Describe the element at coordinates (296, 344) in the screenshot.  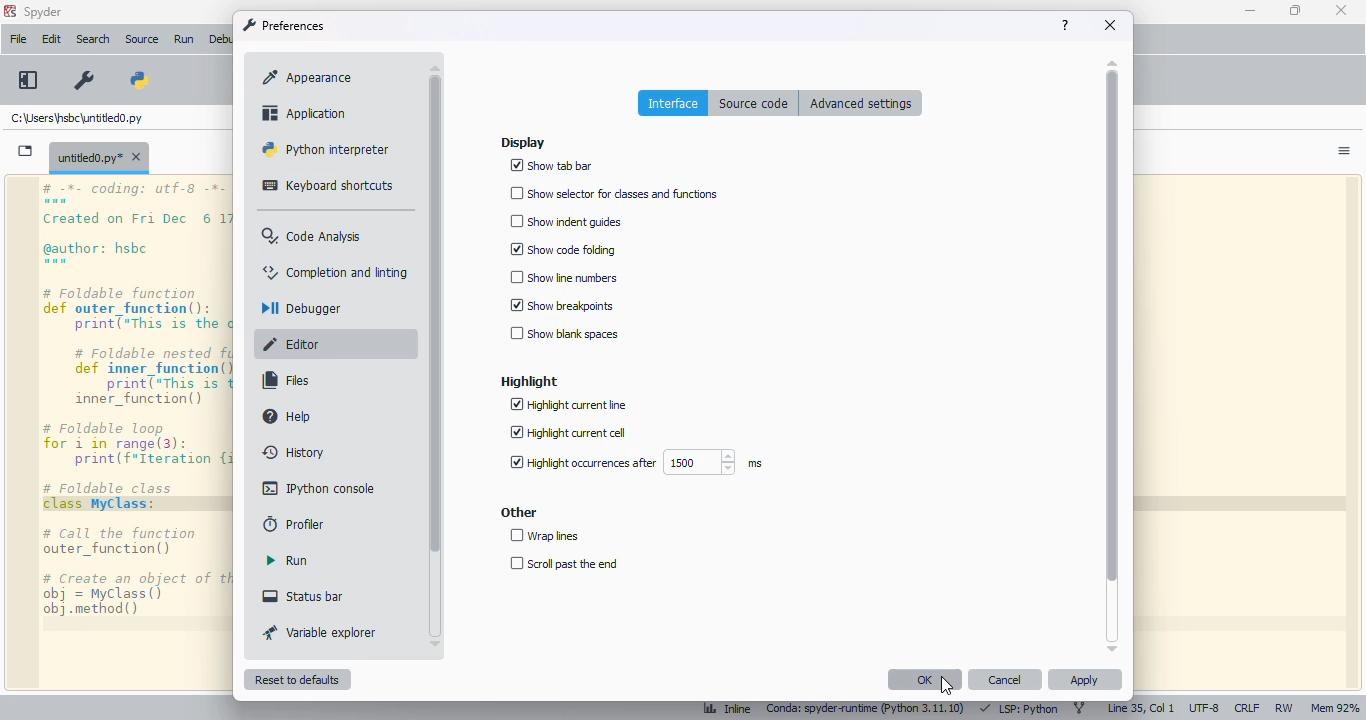
I see `editor` at that location.